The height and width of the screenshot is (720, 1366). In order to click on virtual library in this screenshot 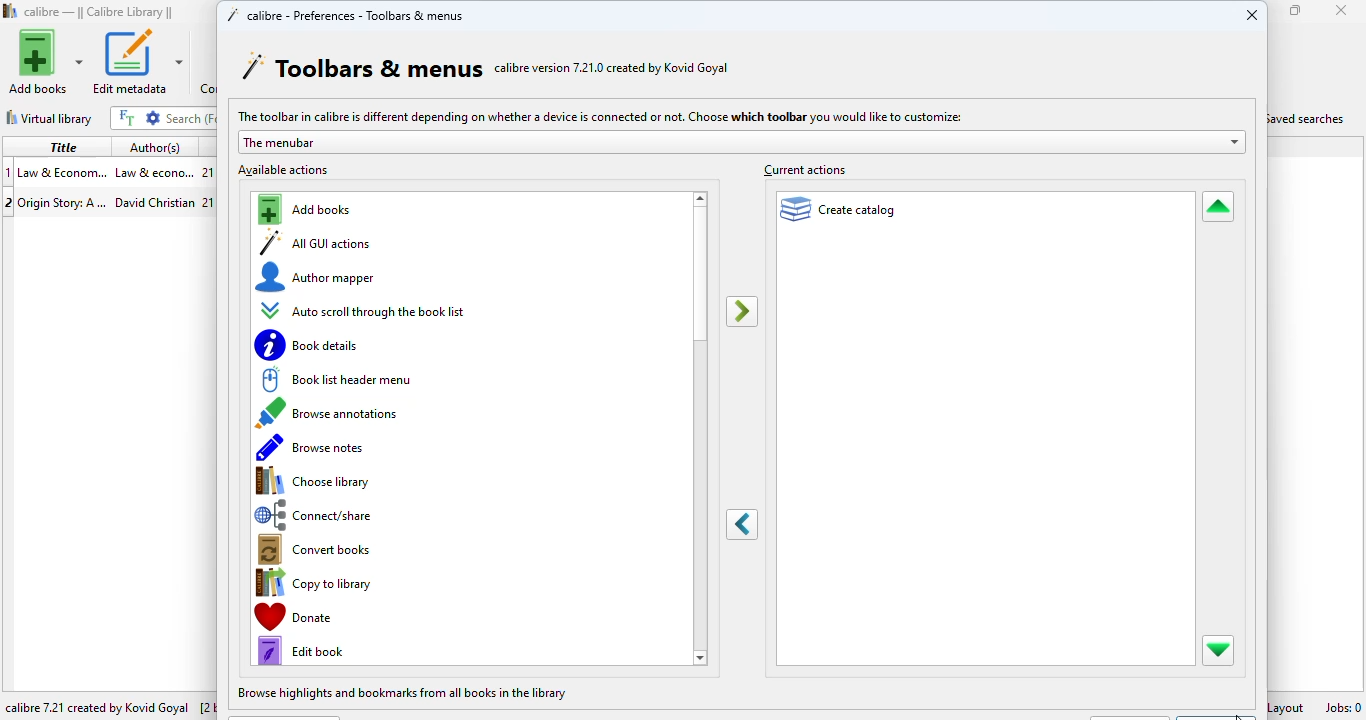, I will do `click(49, 118)`.